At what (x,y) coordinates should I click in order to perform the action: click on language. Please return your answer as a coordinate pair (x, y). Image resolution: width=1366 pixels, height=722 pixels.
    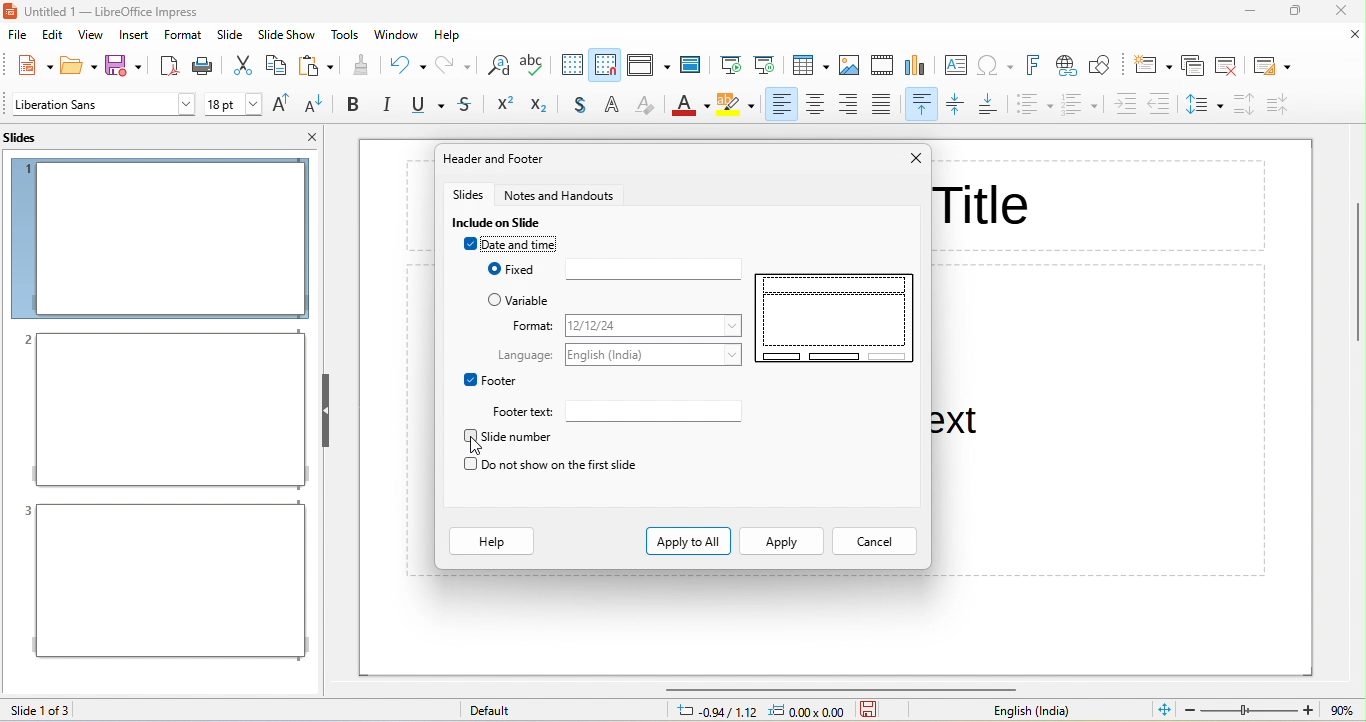
    Looking at the image, I should click on (658, 353).